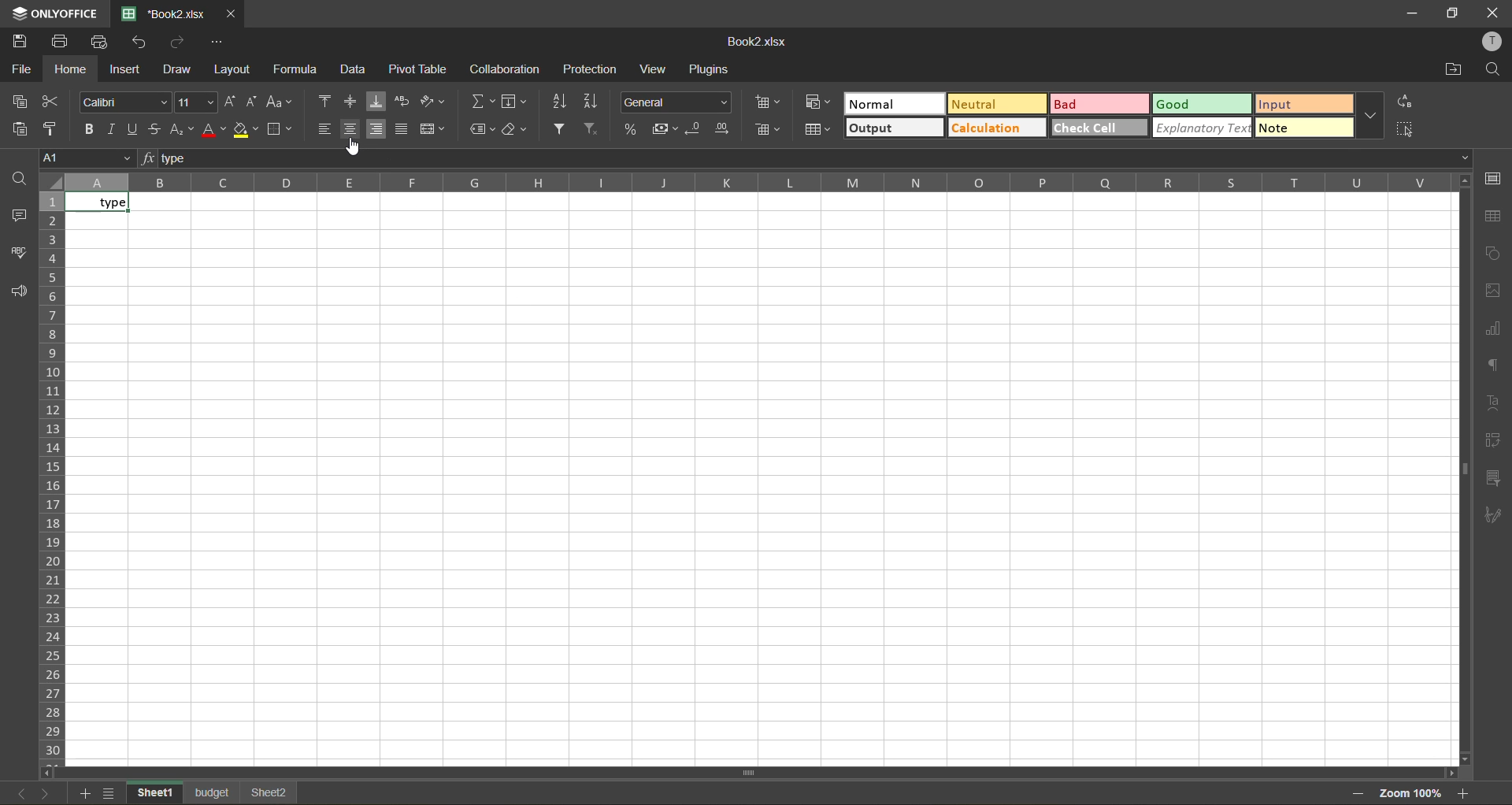 The height and width of the screenshot is (805, 1512). Describe the element at coordinates (1492, 180) in the screenshot. I see `cell settings` at that location.